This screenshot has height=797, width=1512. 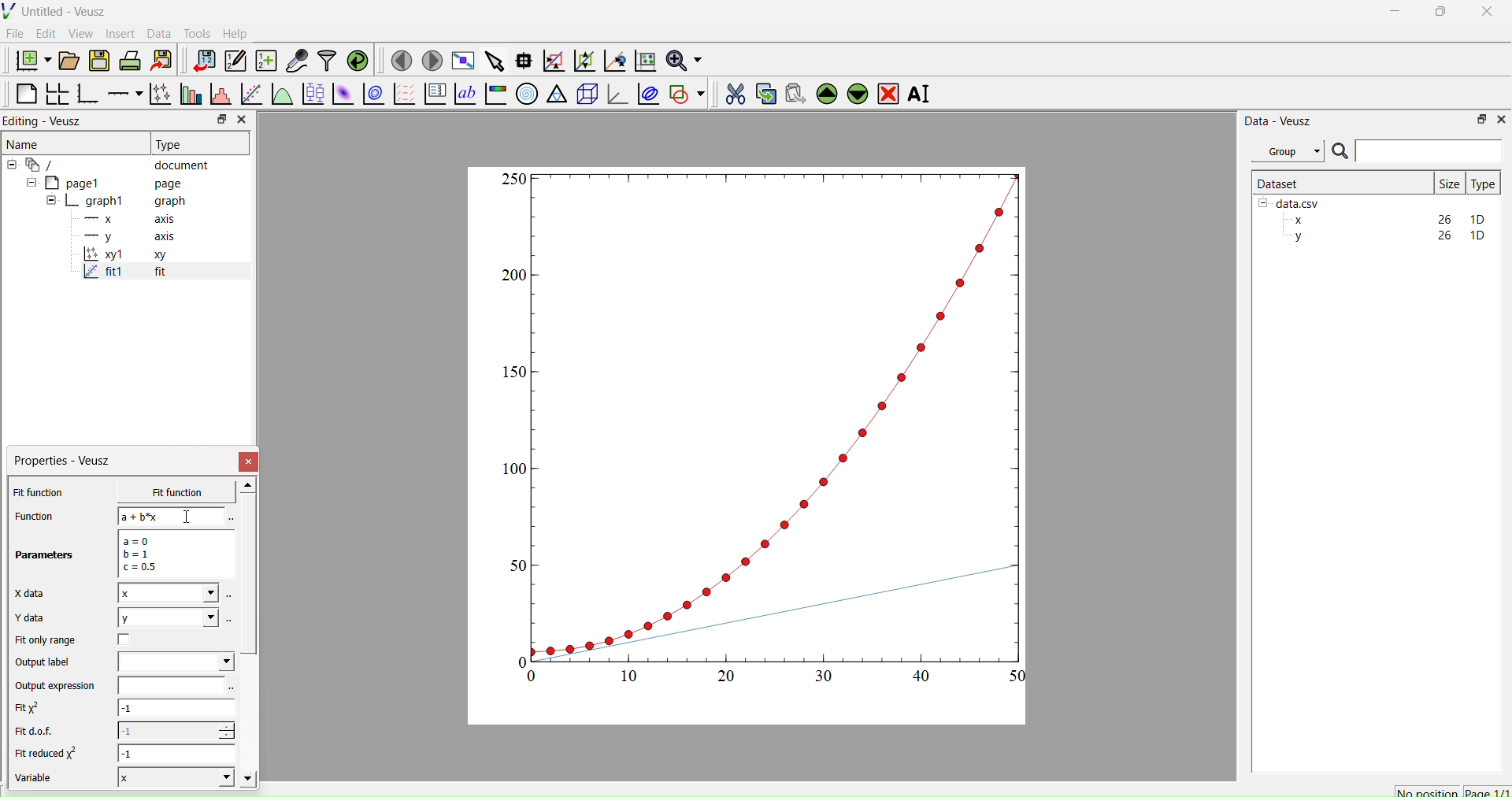 What do you see at coordinates (326, 60) in the screenshot?
I see `Filter data` at bounding box center [326, 60].